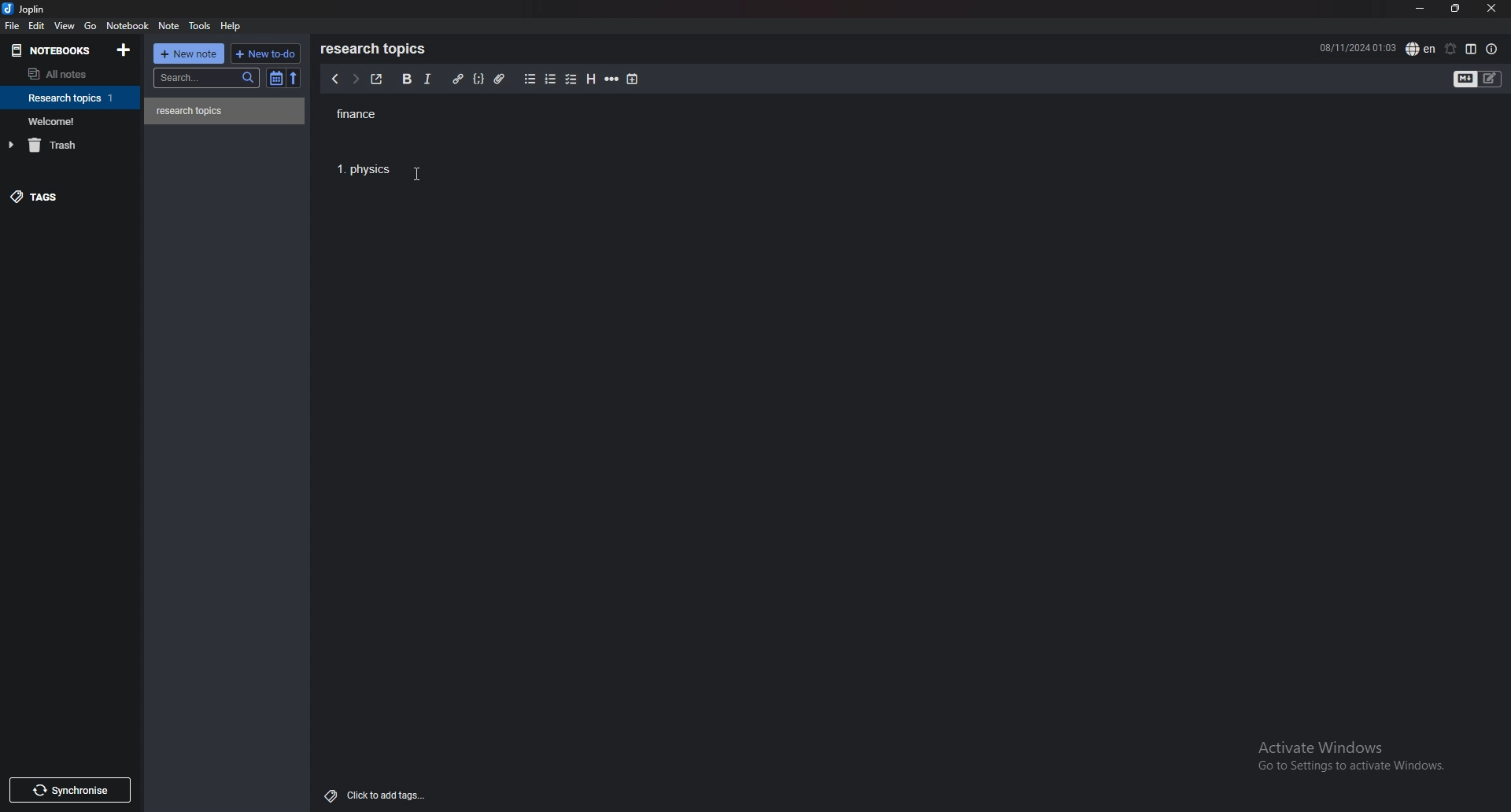 Image resolution: width=1511 pixels, height=812 pixels. I want to click on tags, so click(67, 200).